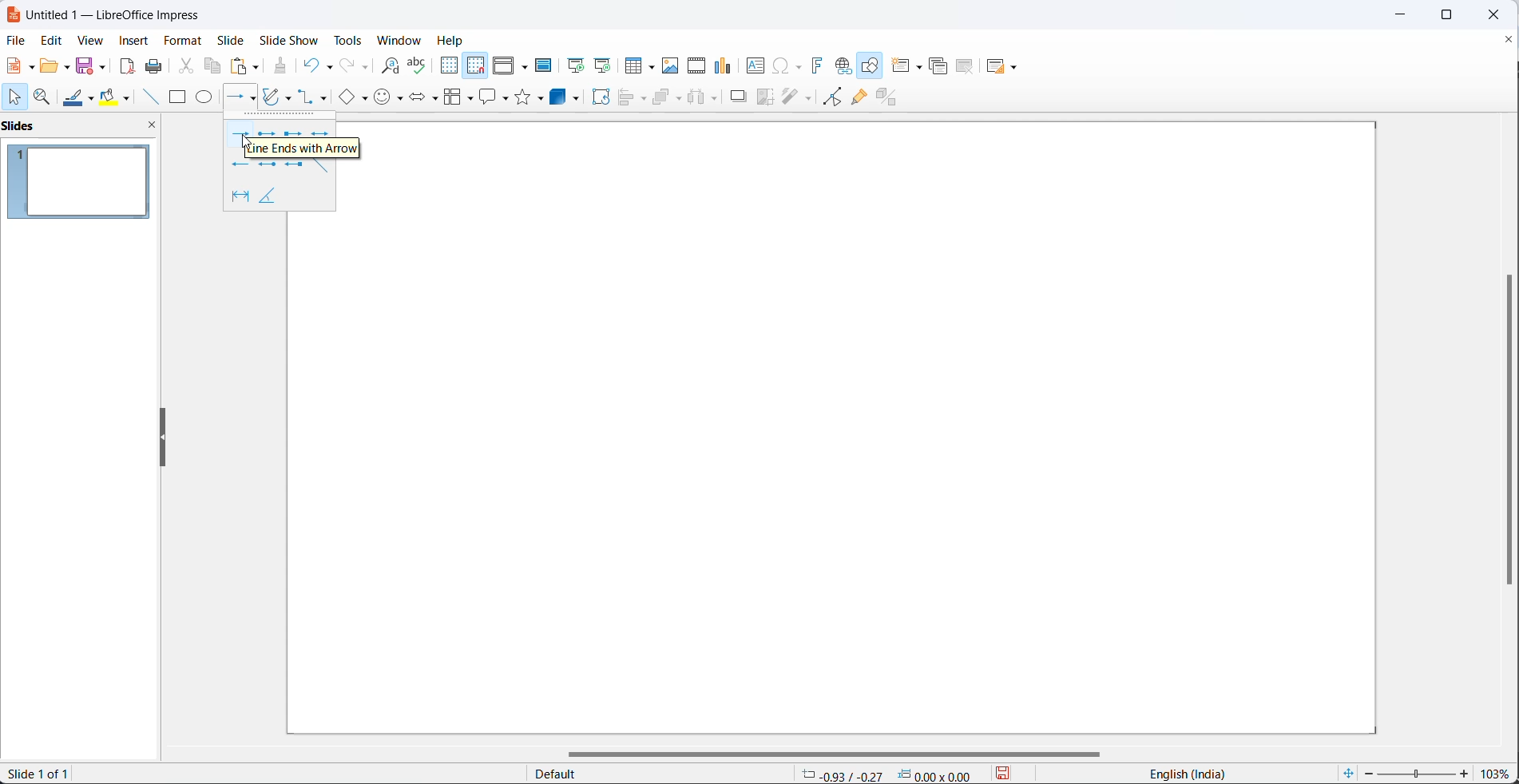  I want to click on print, so click(154, 65).